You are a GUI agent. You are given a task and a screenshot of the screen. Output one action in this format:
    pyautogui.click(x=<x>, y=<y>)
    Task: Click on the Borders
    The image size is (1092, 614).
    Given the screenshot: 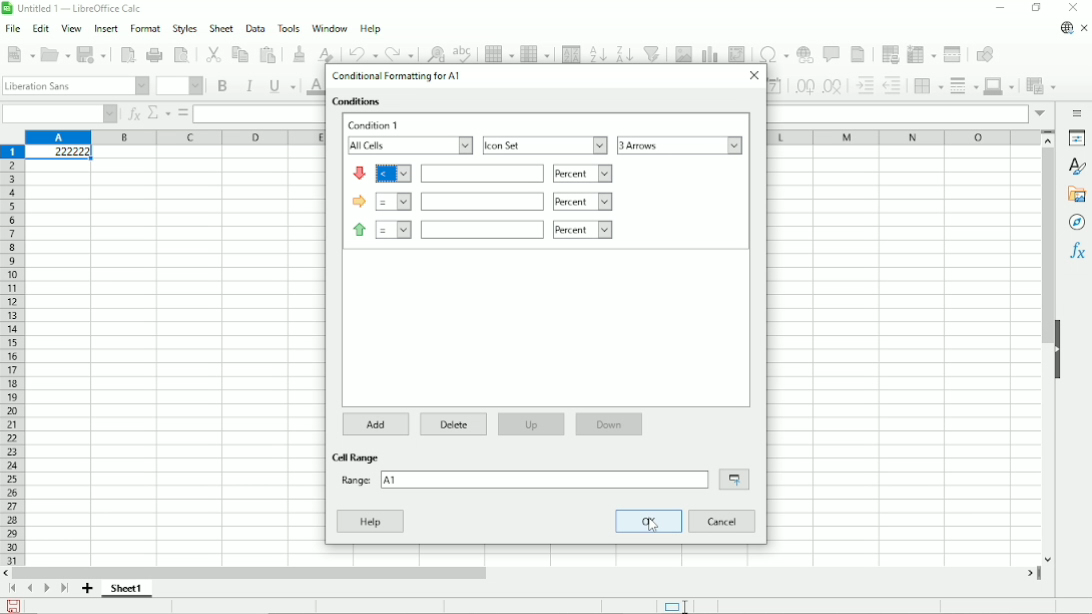 What is the action you would take?
    pyautogui.click(x=928, y=85)
    